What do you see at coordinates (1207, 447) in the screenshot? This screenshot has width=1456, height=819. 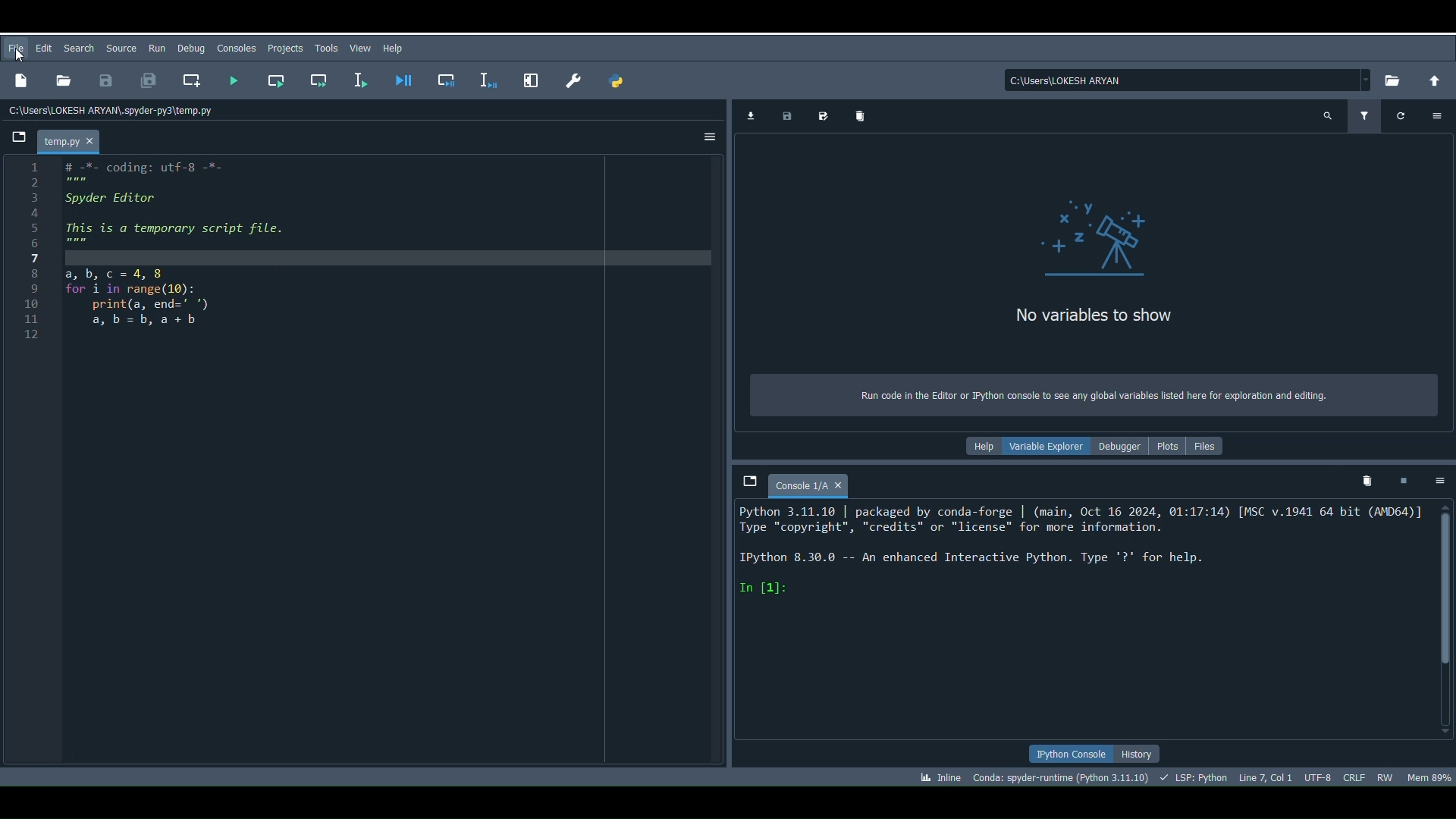 I see `Files` at bounding box center [1207, 447].